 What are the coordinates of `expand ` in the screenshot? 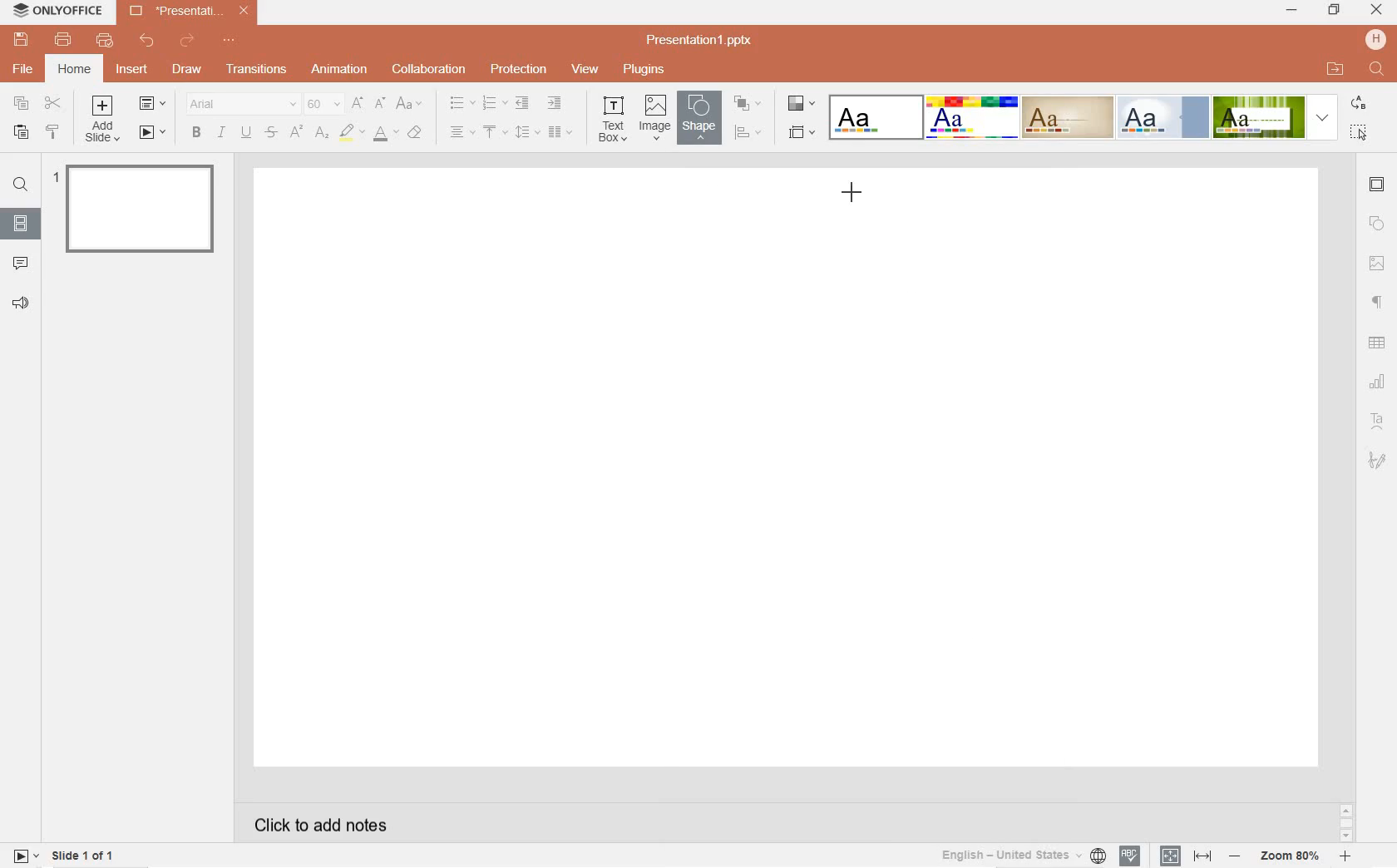 It's located at (1322, 117).